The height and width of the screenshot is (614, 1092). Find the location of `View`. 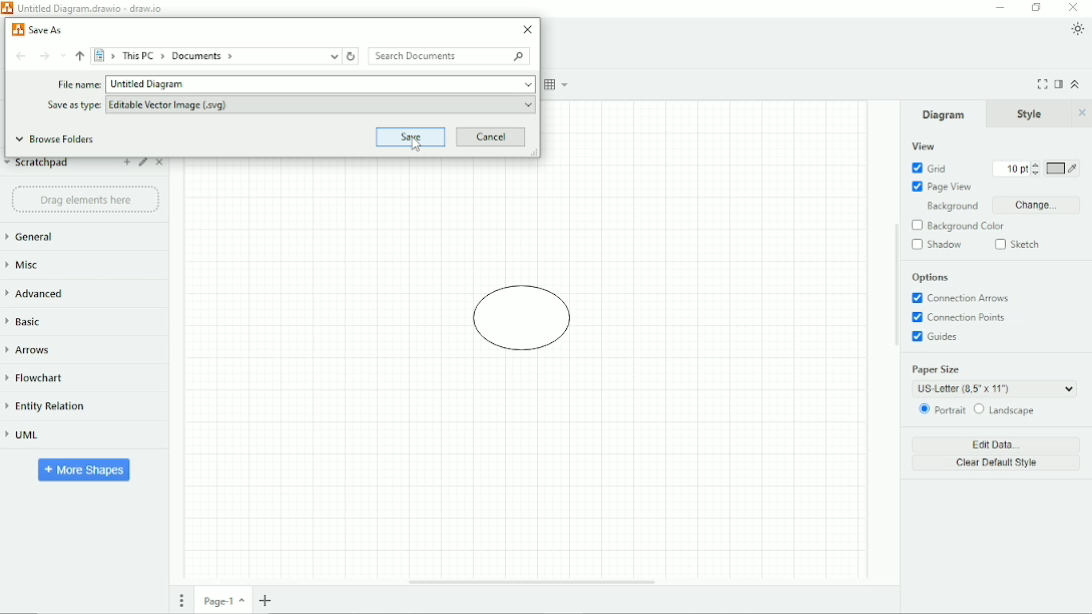

View is located at coordinates (922, 146).